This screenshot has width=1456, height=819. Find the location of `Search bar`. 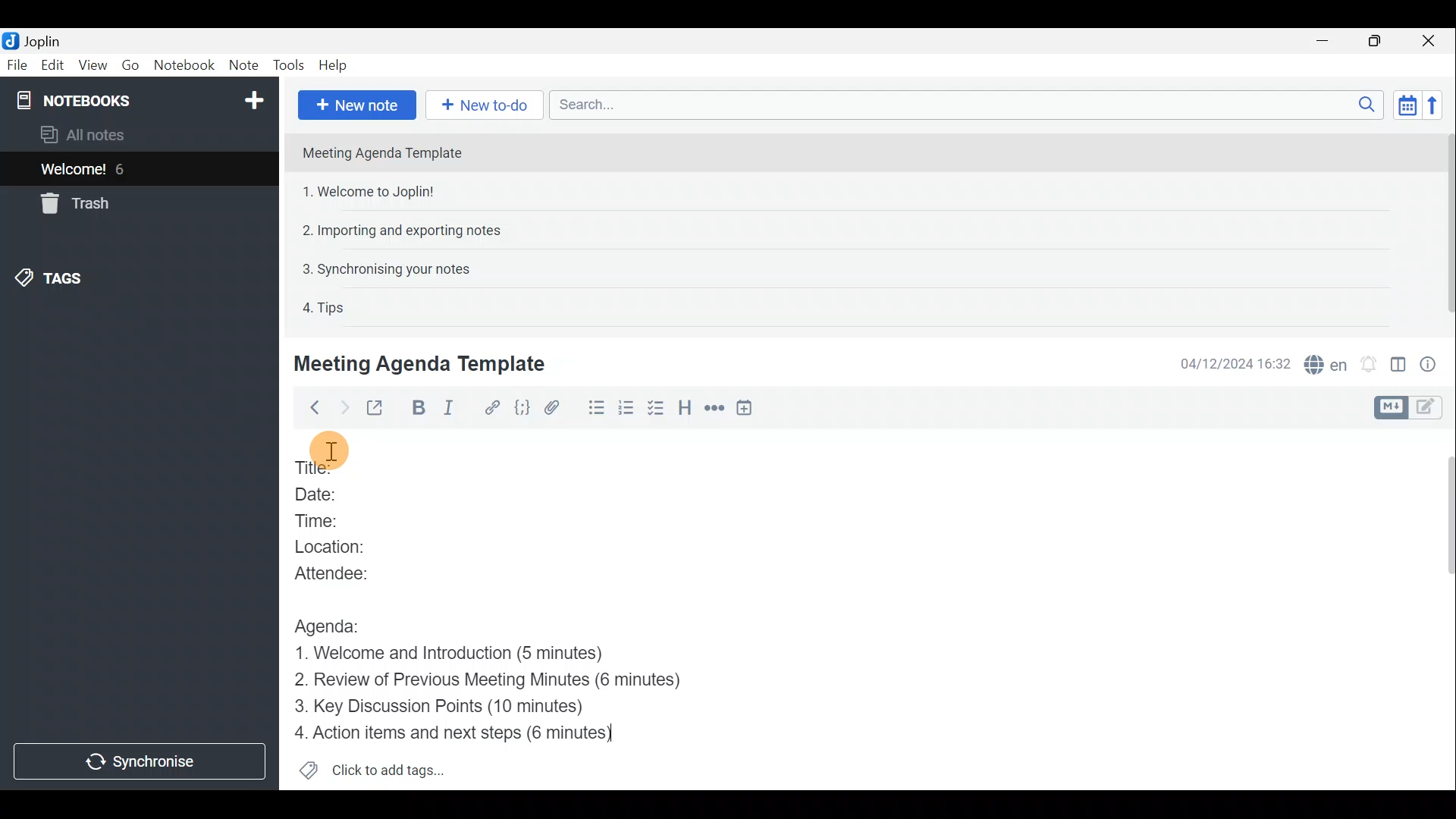

Search bar is located at coordinates (962, 104).